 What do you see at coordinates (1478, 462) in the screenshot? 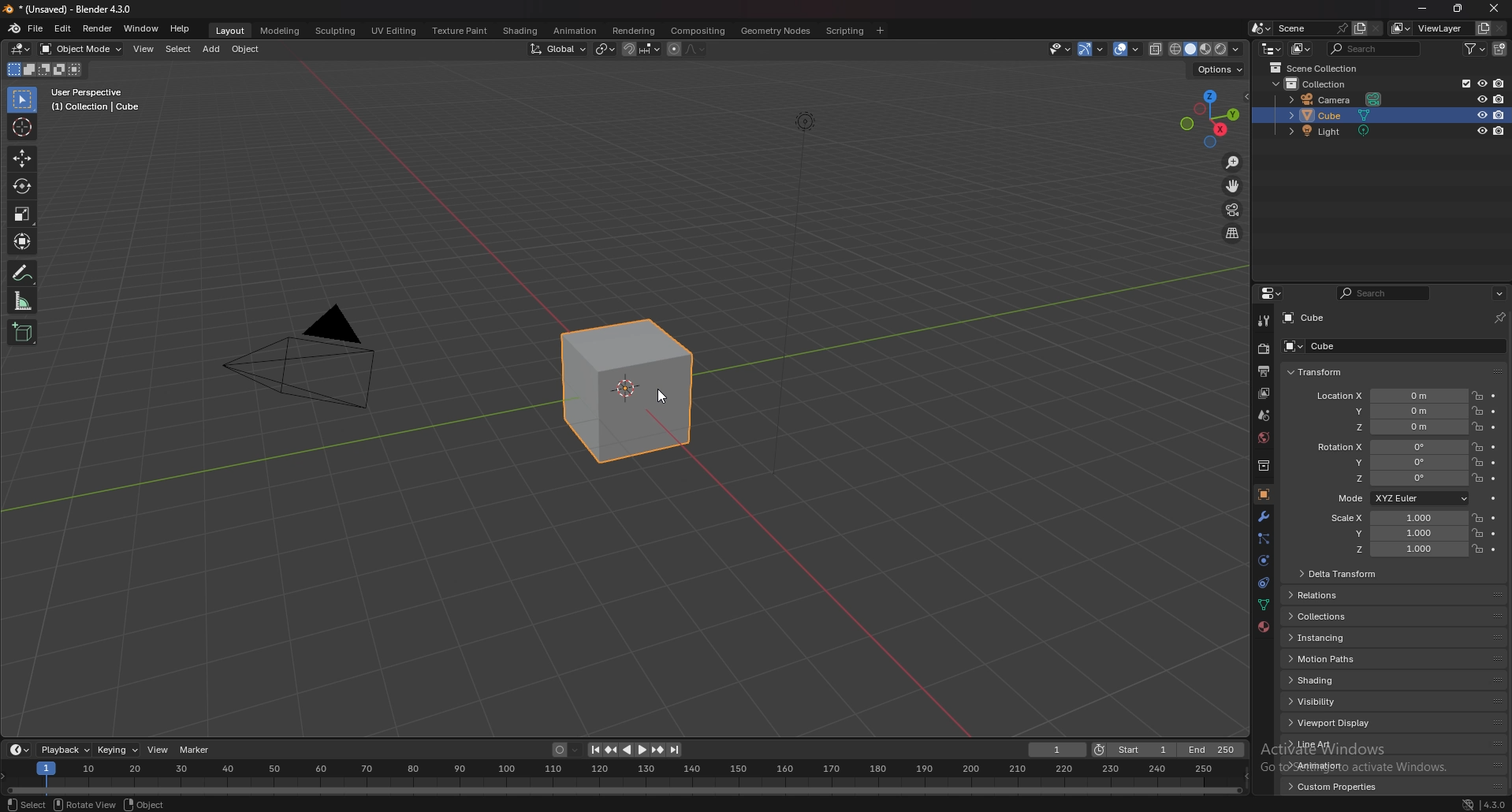
I see `lock location` at bounding box center [1478, 462].